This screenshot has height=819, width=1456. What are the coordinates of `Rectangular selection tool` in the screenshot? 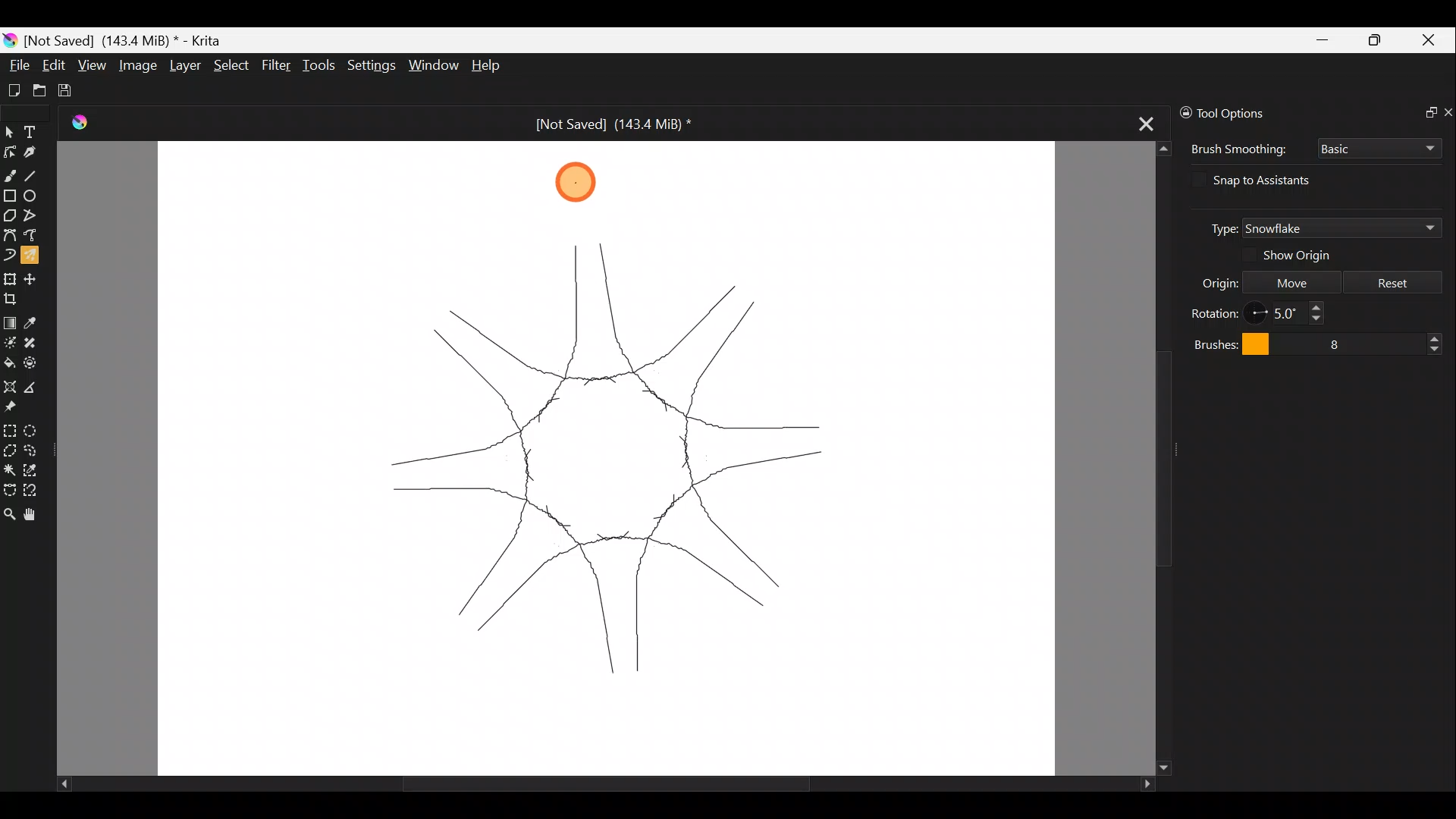 It's located at (9, 428).